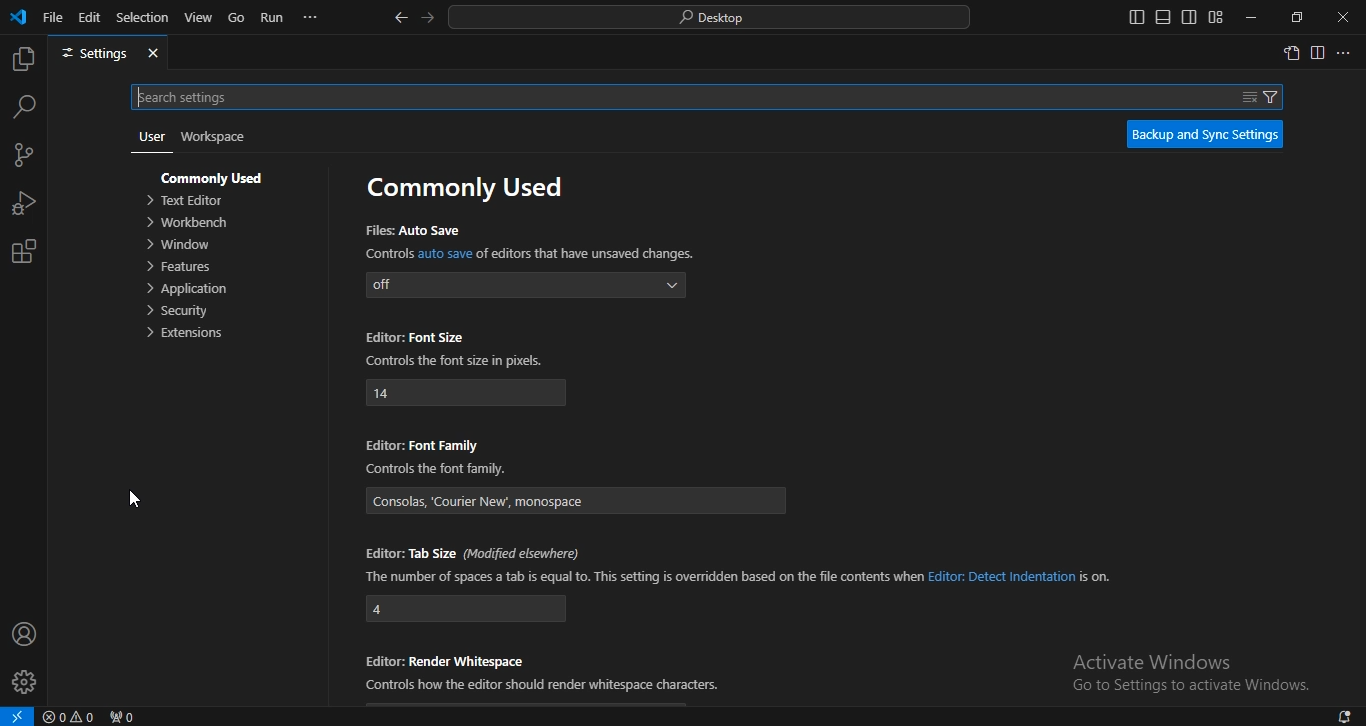 The width and height of the screenshot is (1366, 726). Describe the element at coordinates (1298, 17) in the screenshot. I see `restore` at that location.